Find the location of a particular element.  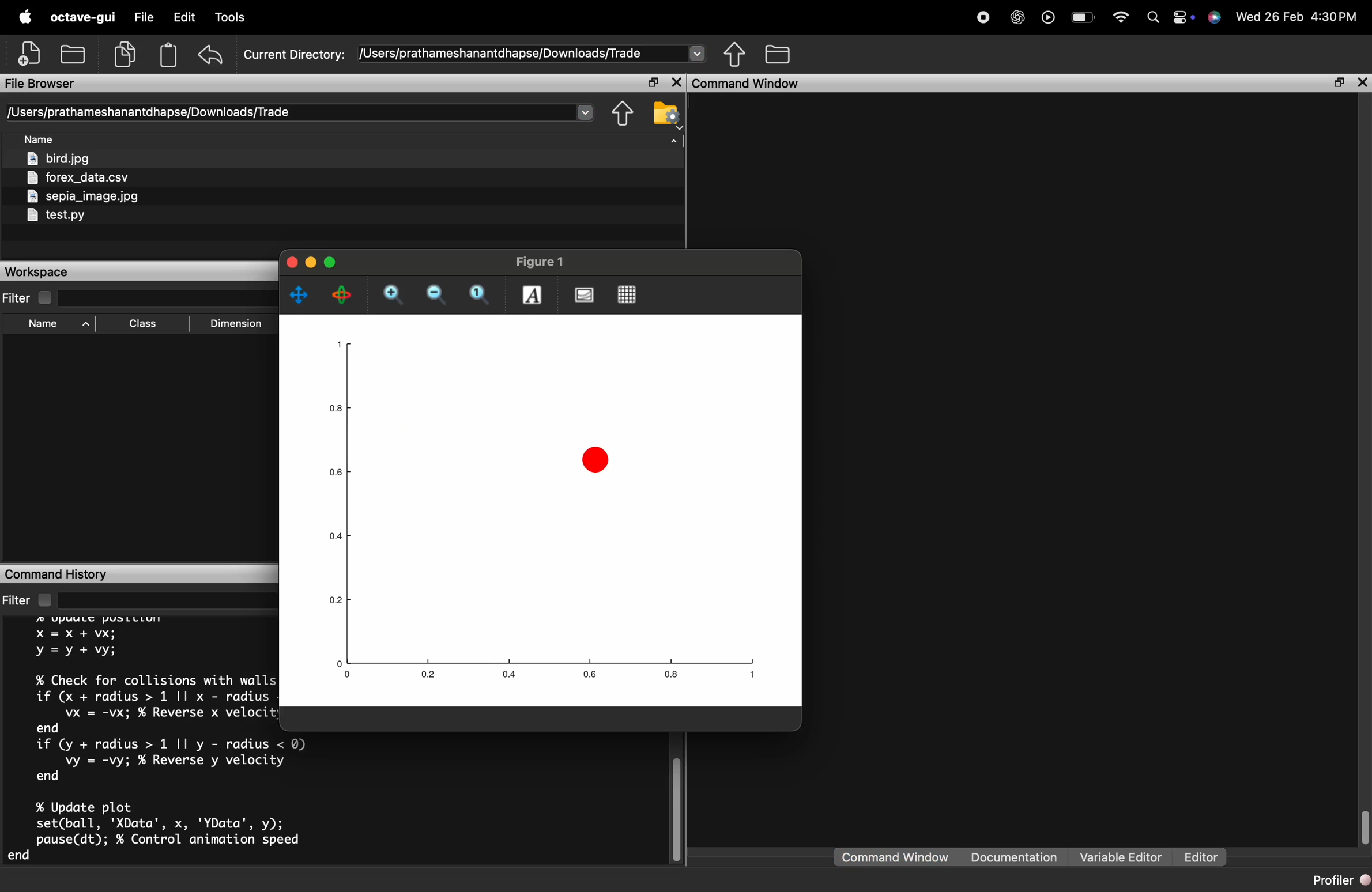

pan is located at coordinates (298, 296).